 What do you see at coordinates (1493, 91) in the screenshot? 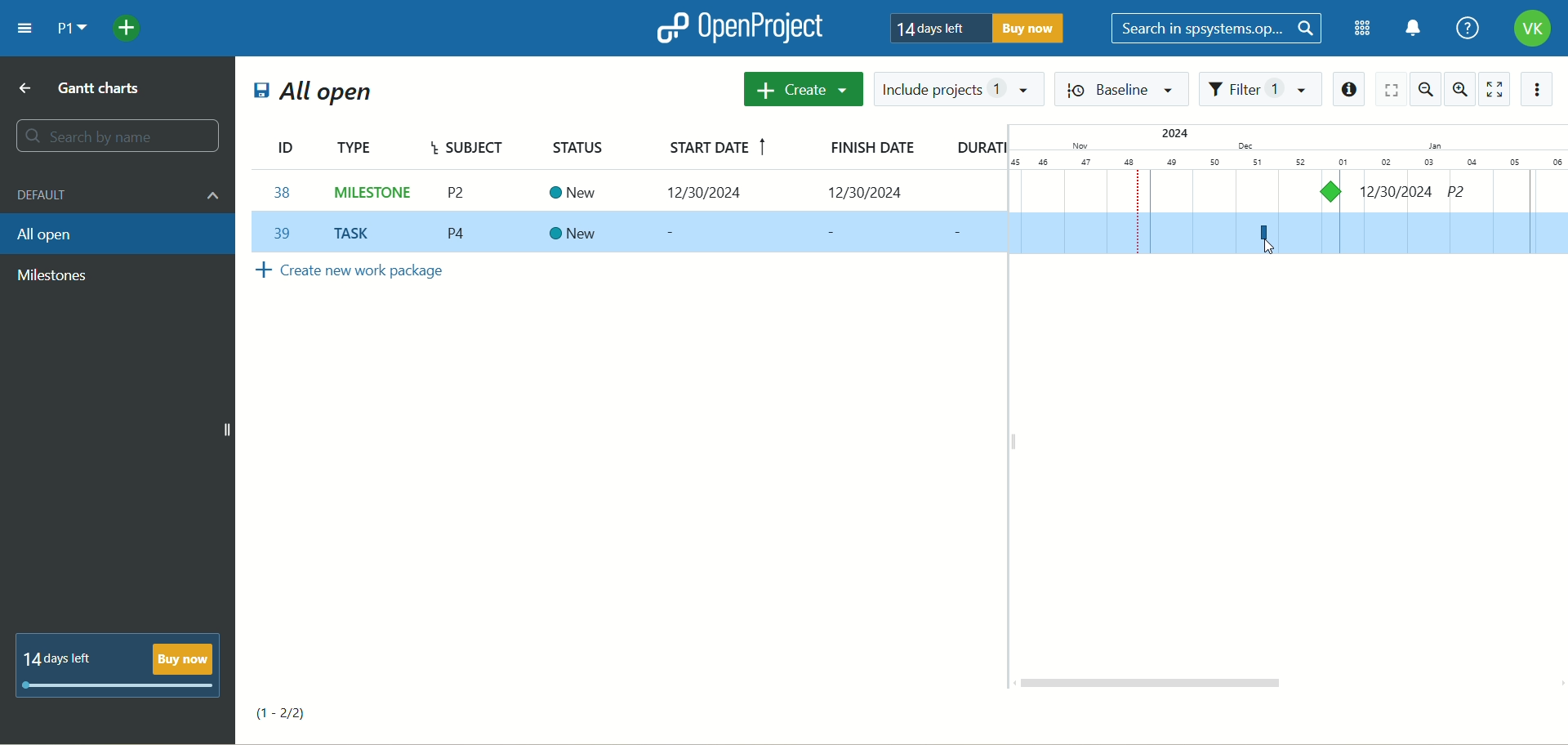
I see `zen mode` at bounding box center [1493, 91].